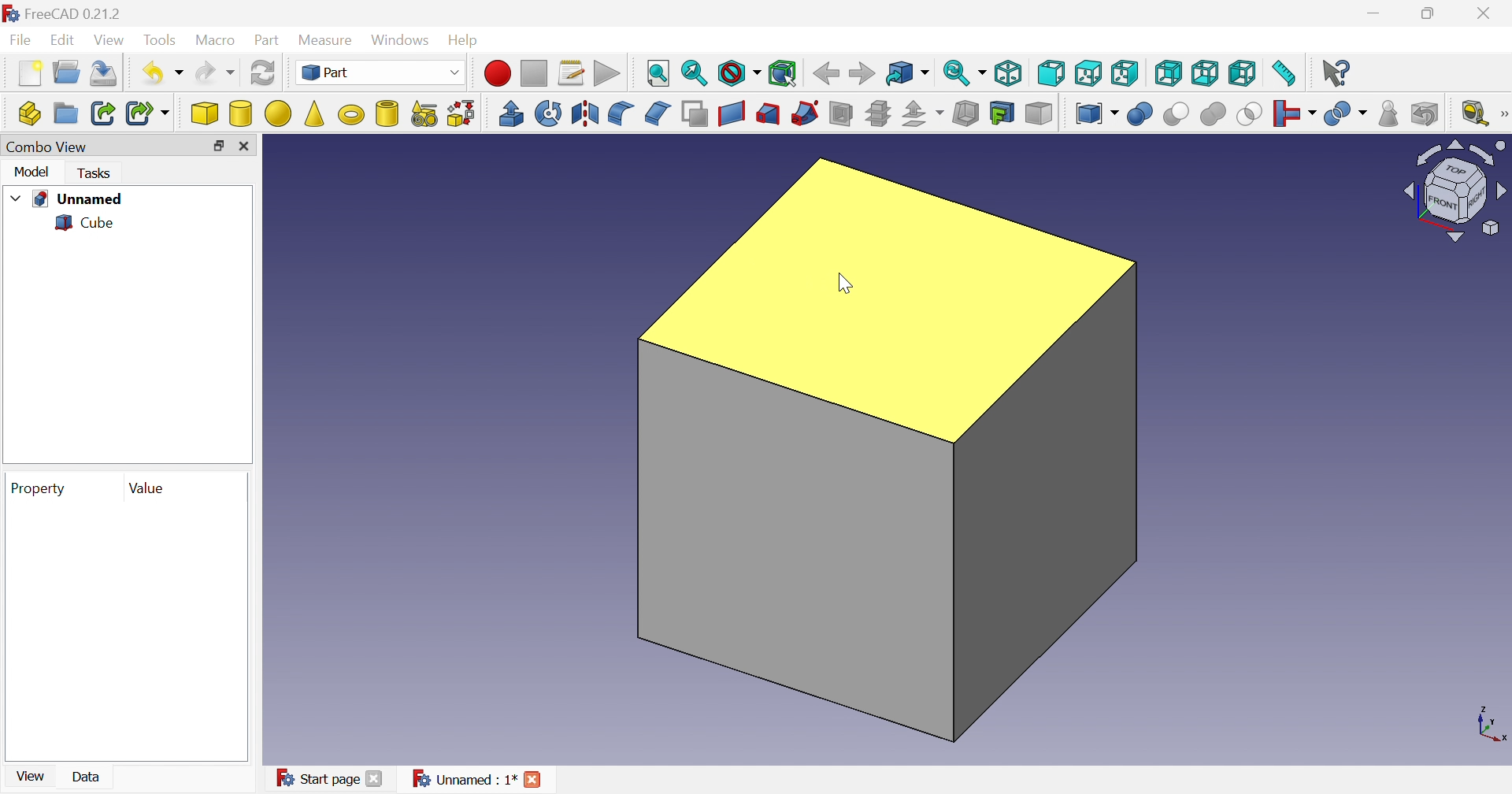 The image size is (1512, 794). What do you see at coordinates (863, 72) in the screenshot?
I see `Forward` at bounding box center [863, 72].